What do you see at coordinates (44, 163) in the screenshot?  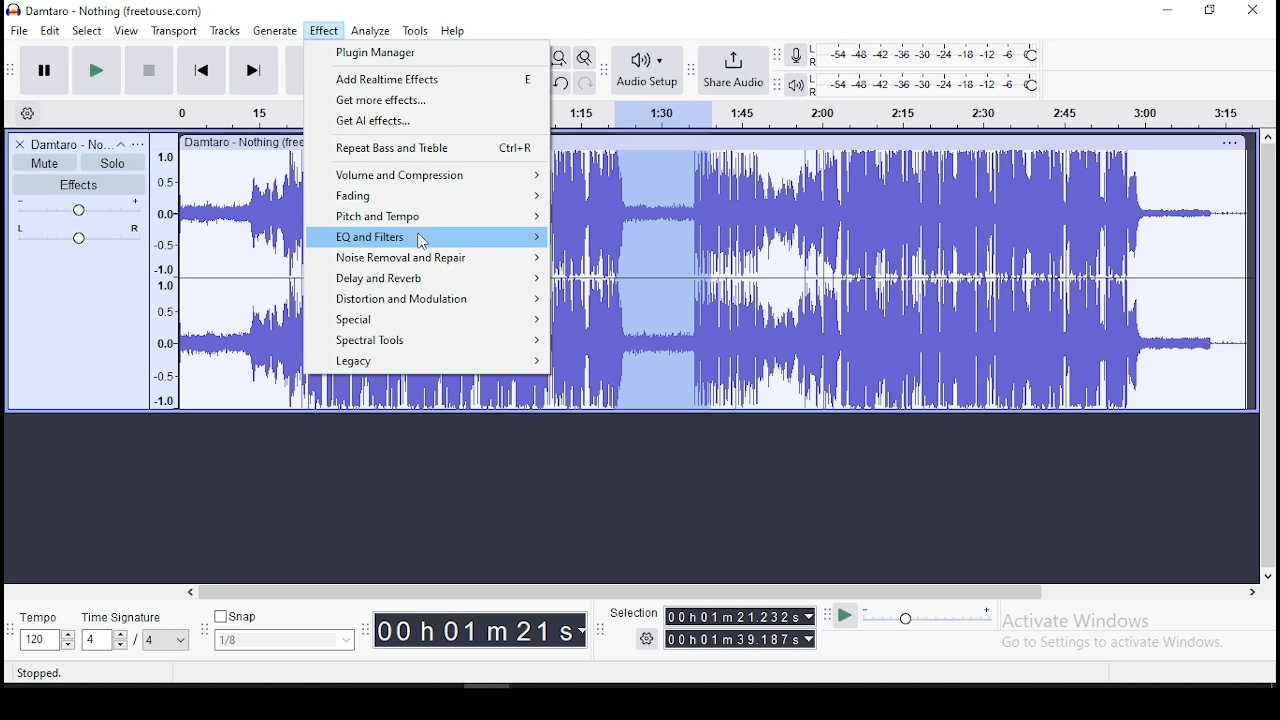 I see `mute` at bounding box center [44, 163].